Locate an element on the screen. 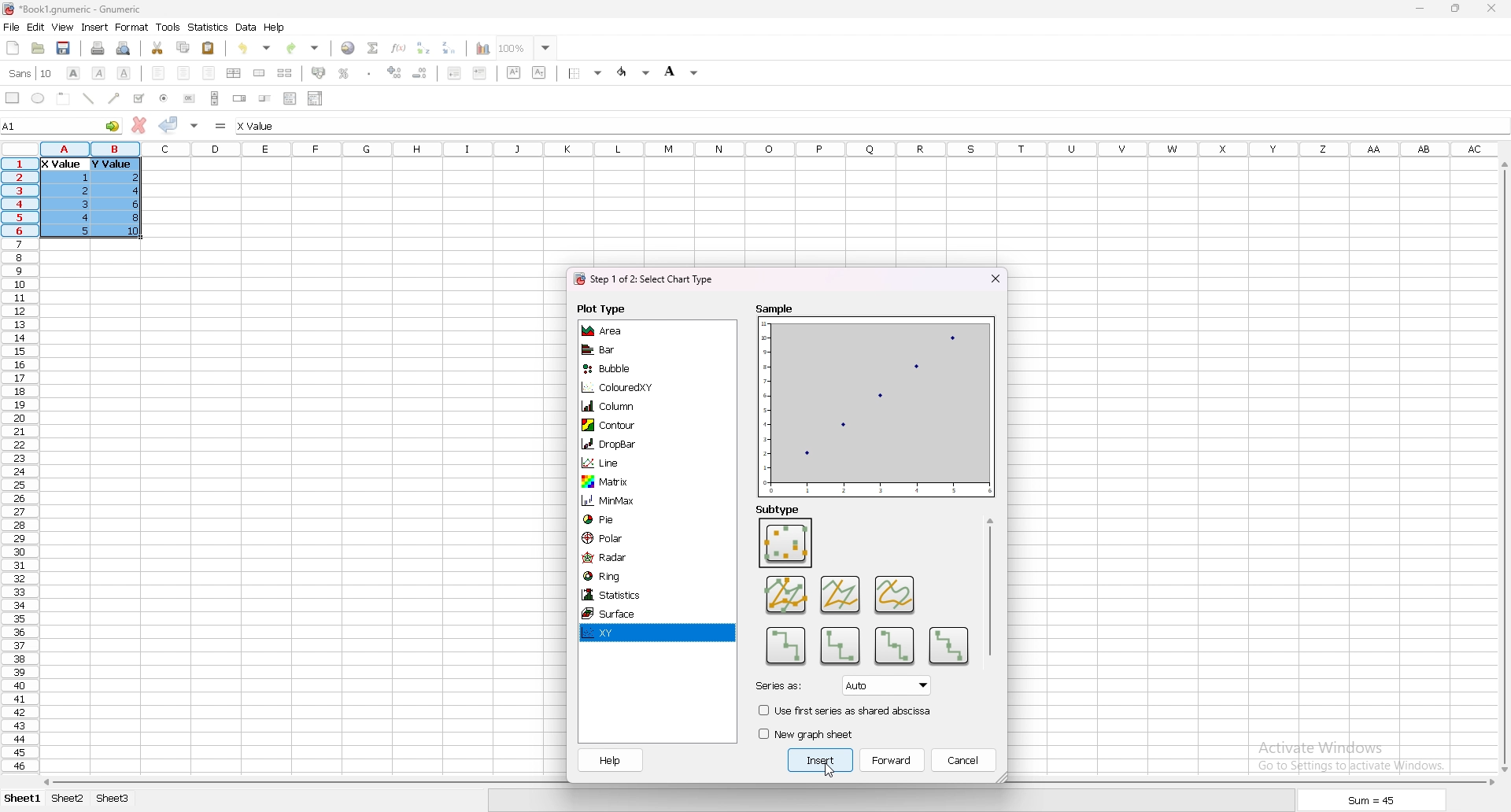 The width and height of the screenshot is (1511, 812). series as is located at coordinates (844, 685).